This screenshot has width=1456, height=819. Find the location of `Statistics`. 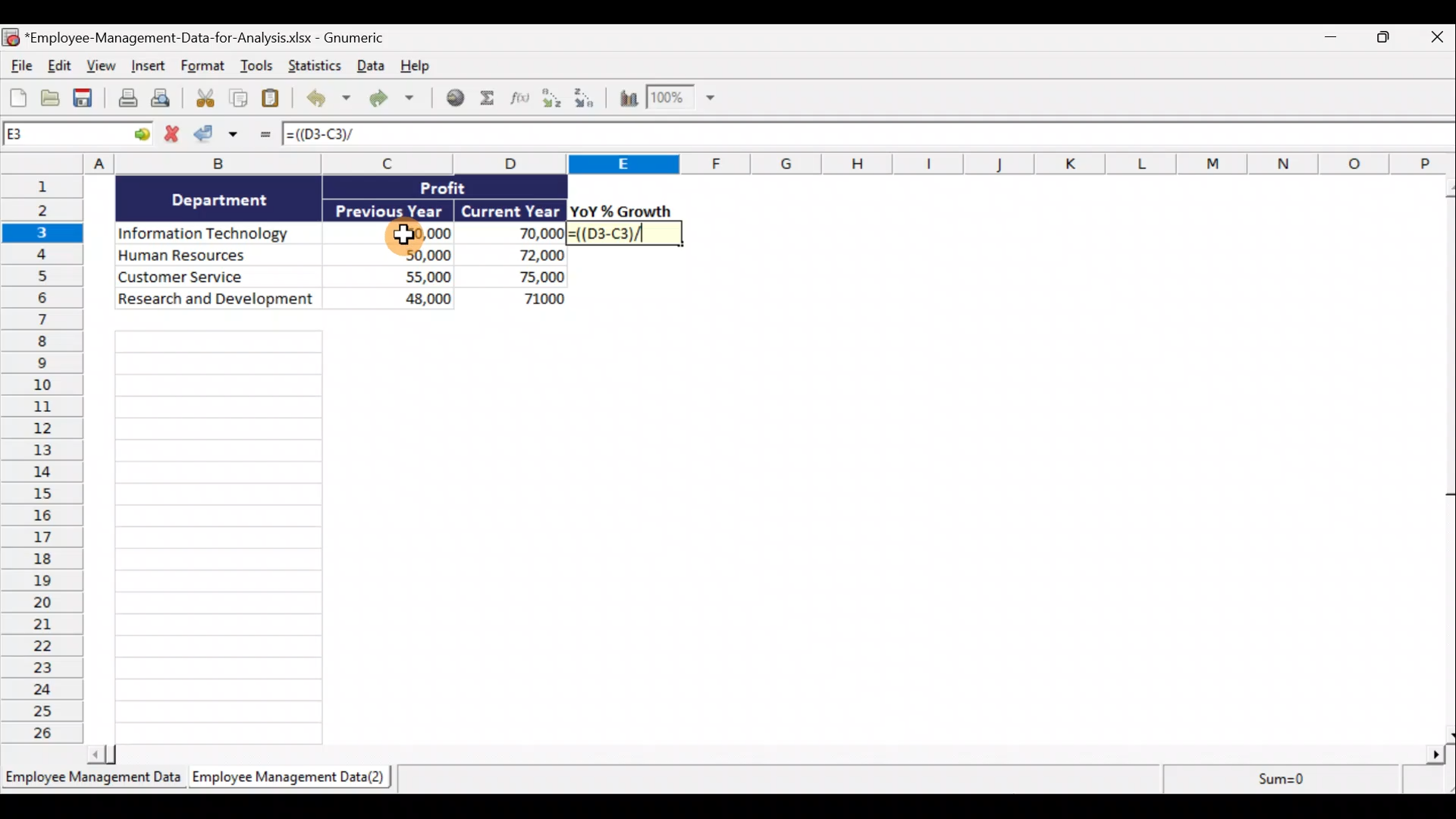

Statistics is located at coordinates (312, 66).